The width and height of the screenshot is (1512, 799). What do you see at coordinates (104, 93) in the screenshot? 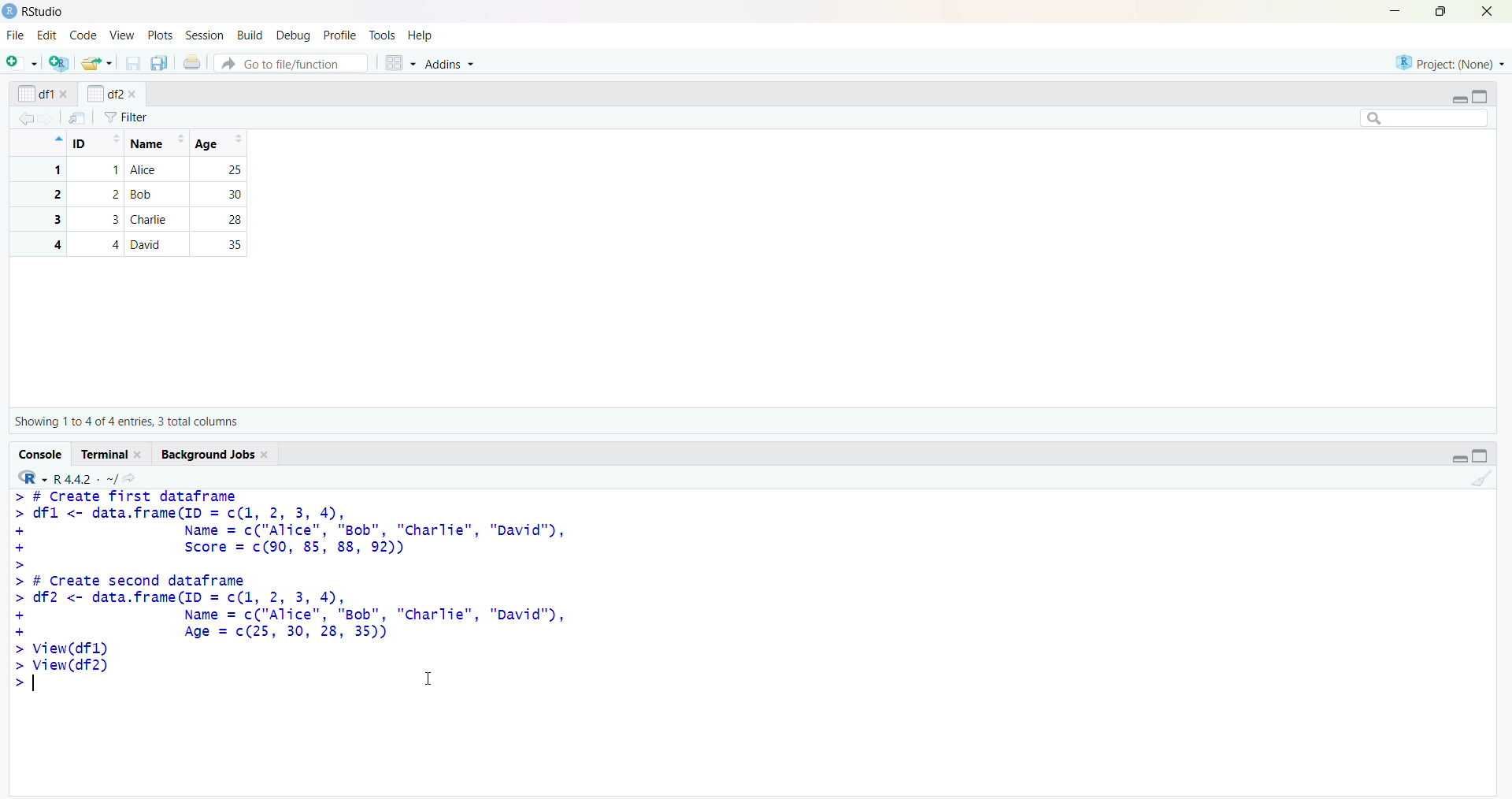
I see `df2` at bounding box center [104, 93].